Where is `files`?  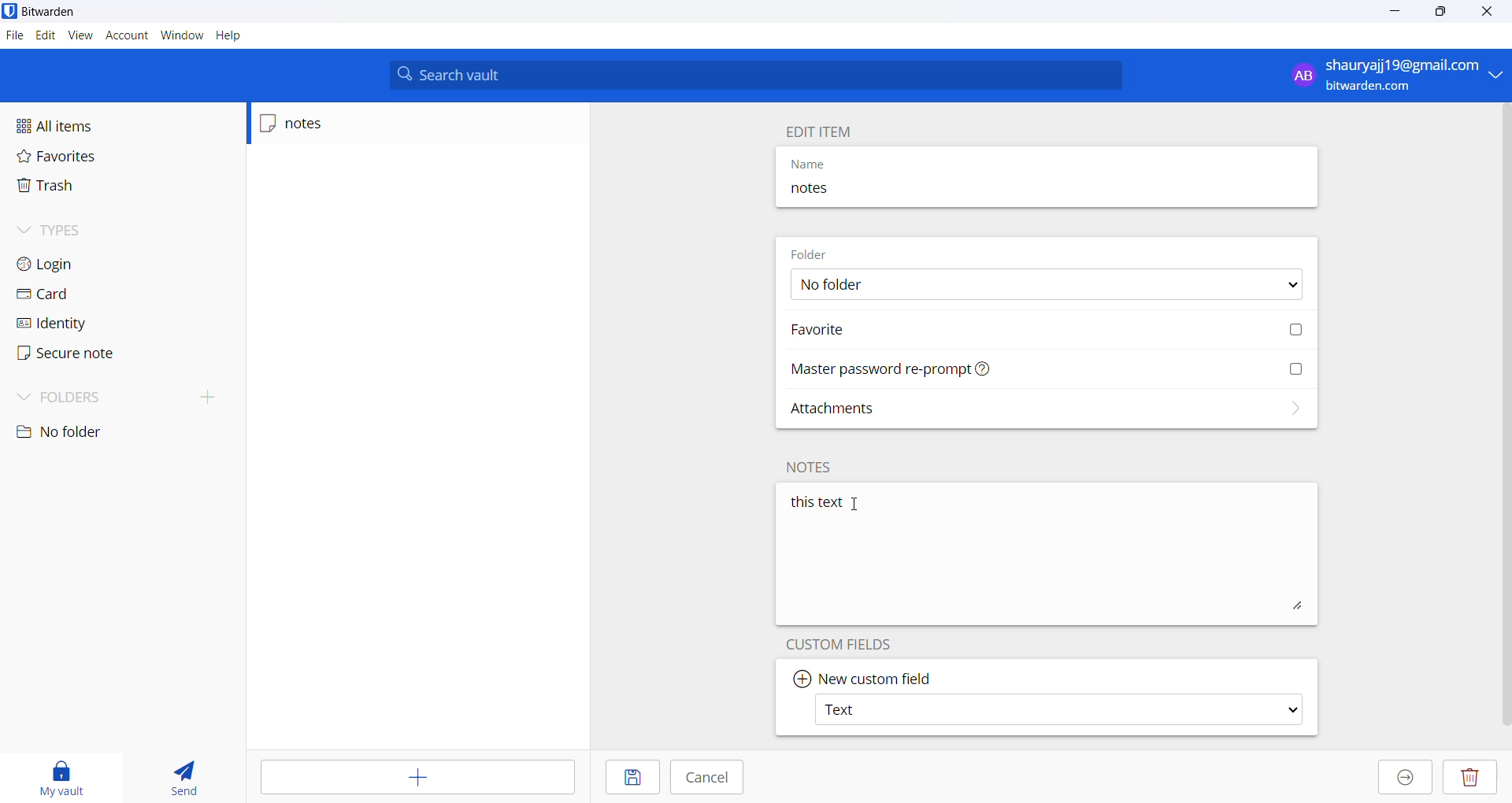 files is located at coordinates (13, 35).